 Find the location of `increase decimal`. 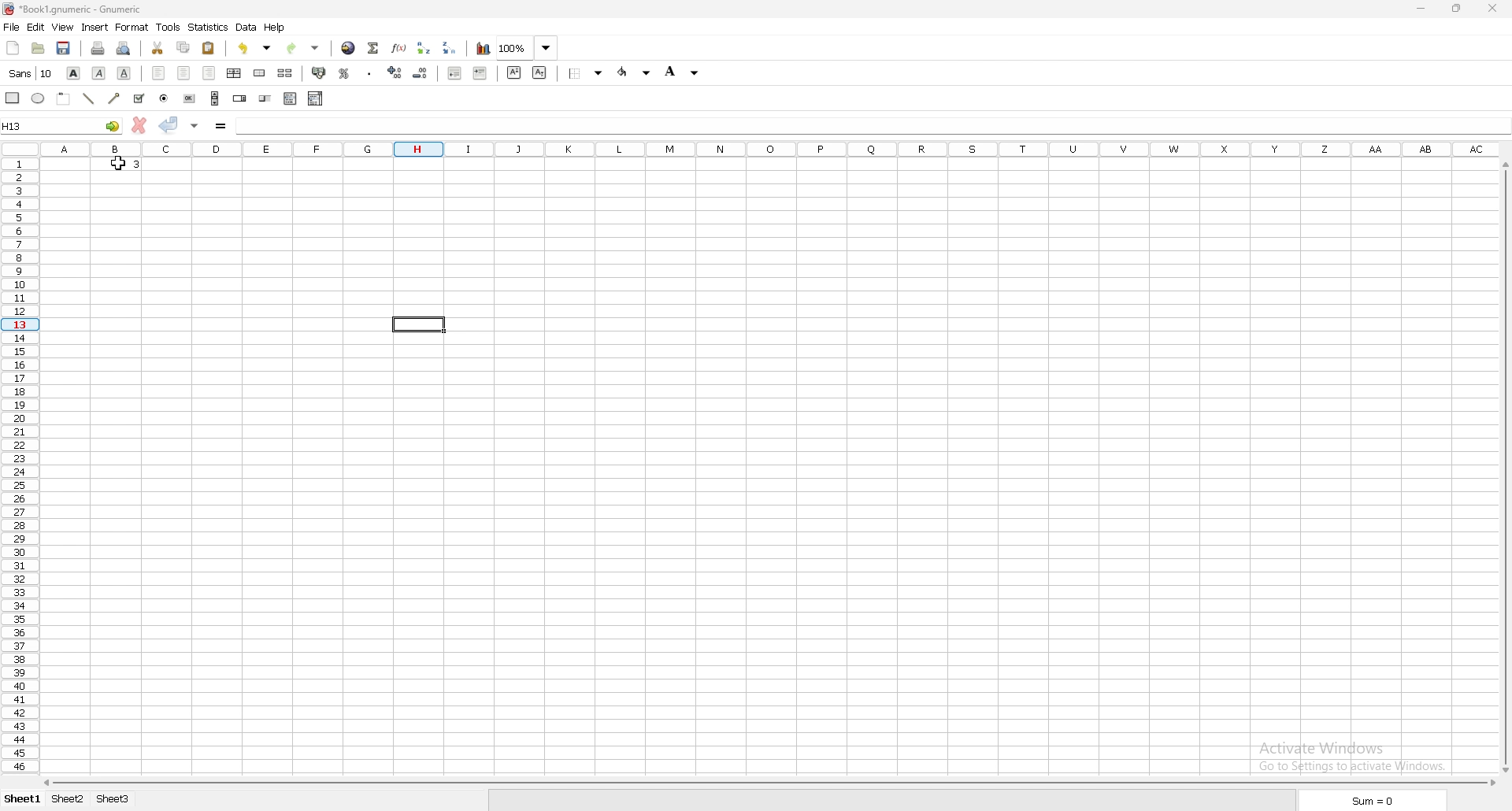

increase decimal is located at coordinates (395, 72).